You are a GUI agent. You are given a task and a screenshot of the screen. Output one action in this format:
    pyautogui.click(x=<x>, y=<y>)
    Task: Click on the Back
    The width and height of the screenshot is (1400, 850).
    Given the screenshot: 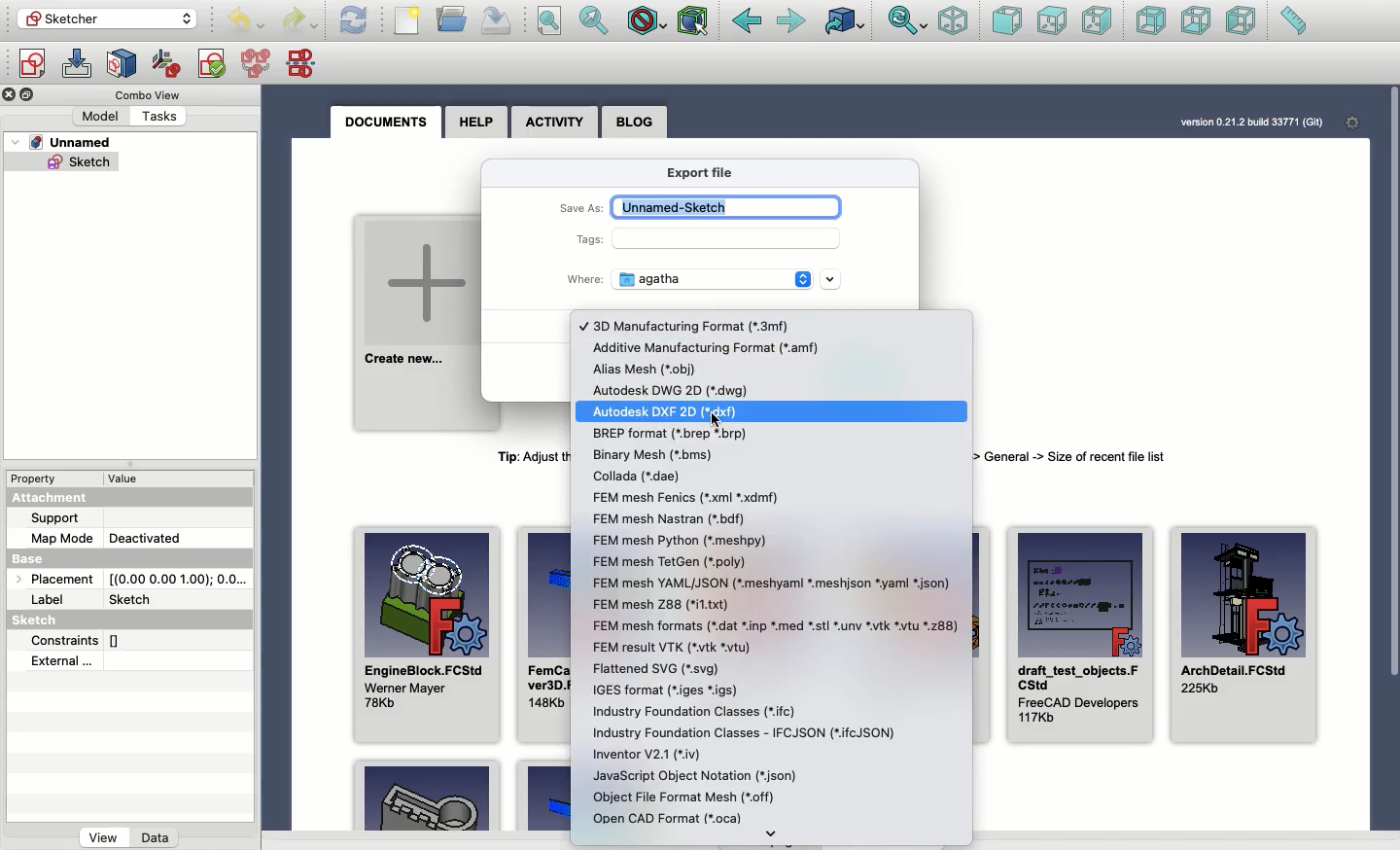 What is the action you would take?
    pyautogui.click(x=747, y=21)
    